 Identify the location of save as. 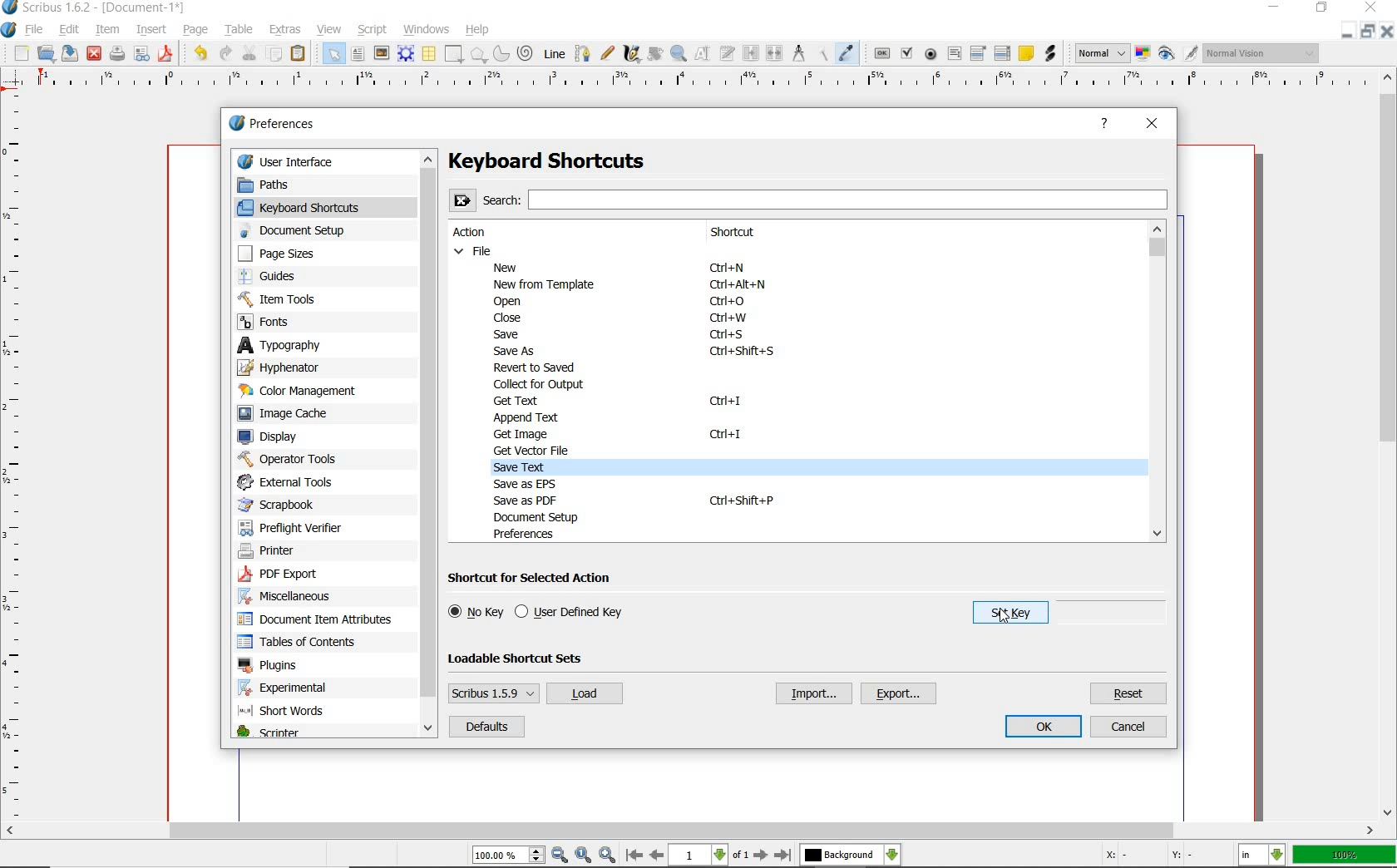
(516, 352).